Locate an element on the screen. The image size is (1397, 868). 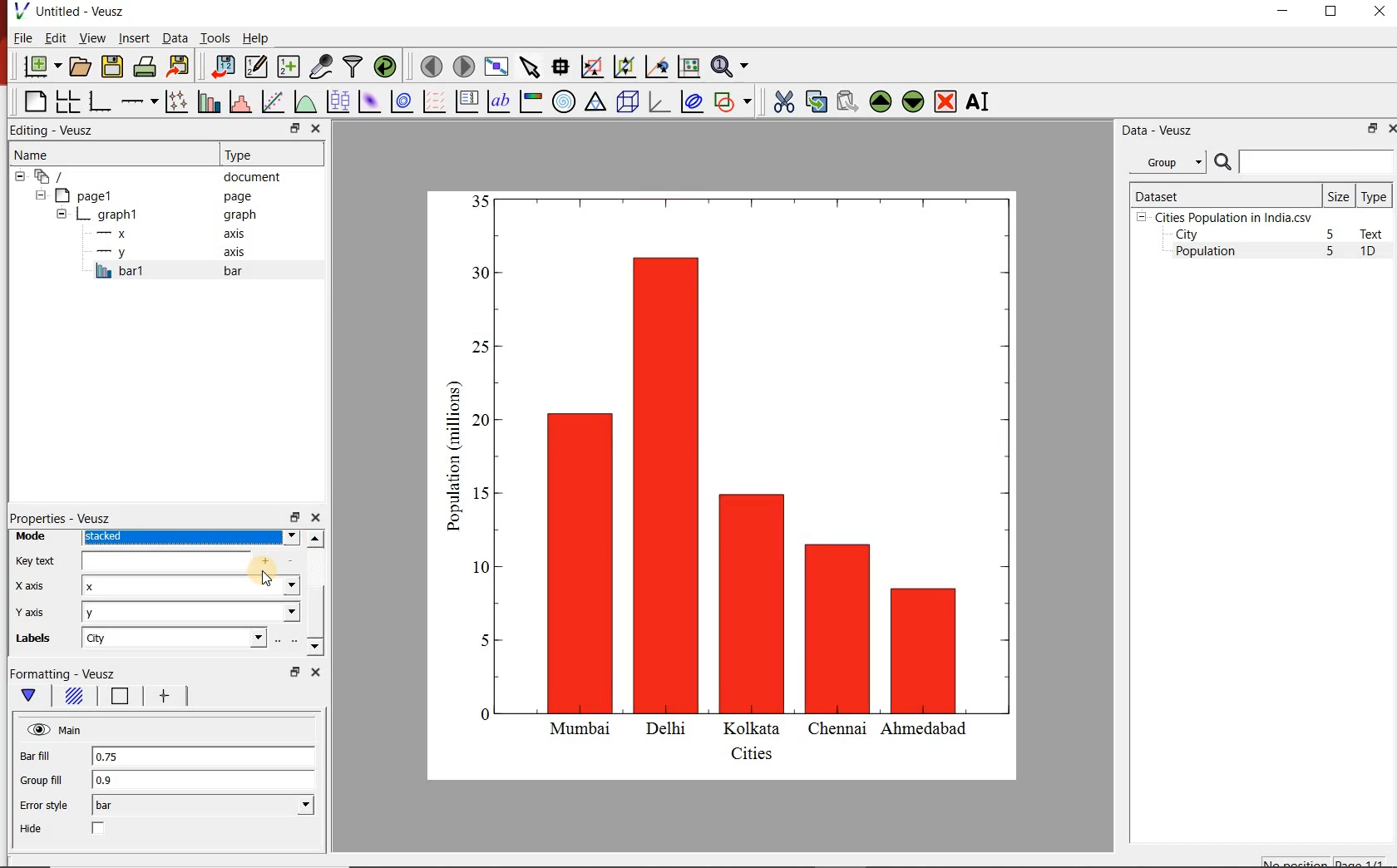
MINIMIZE is located at coordinates (1284, 11).